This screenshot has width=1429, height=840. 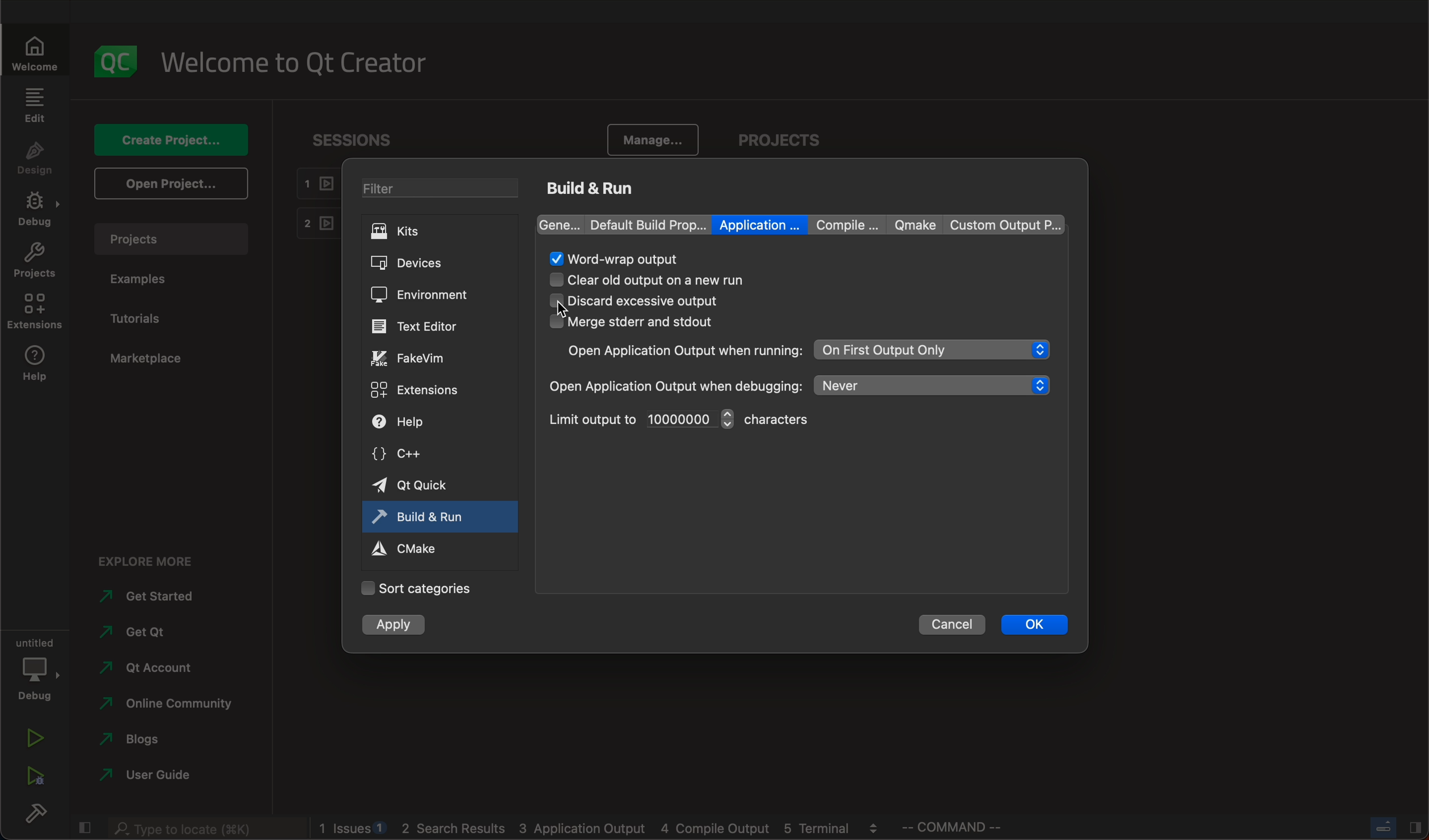 What do you see at coordinates (681, 351) in the screenshot?
I see `open applicatiom` at bounding box center [681, 351].